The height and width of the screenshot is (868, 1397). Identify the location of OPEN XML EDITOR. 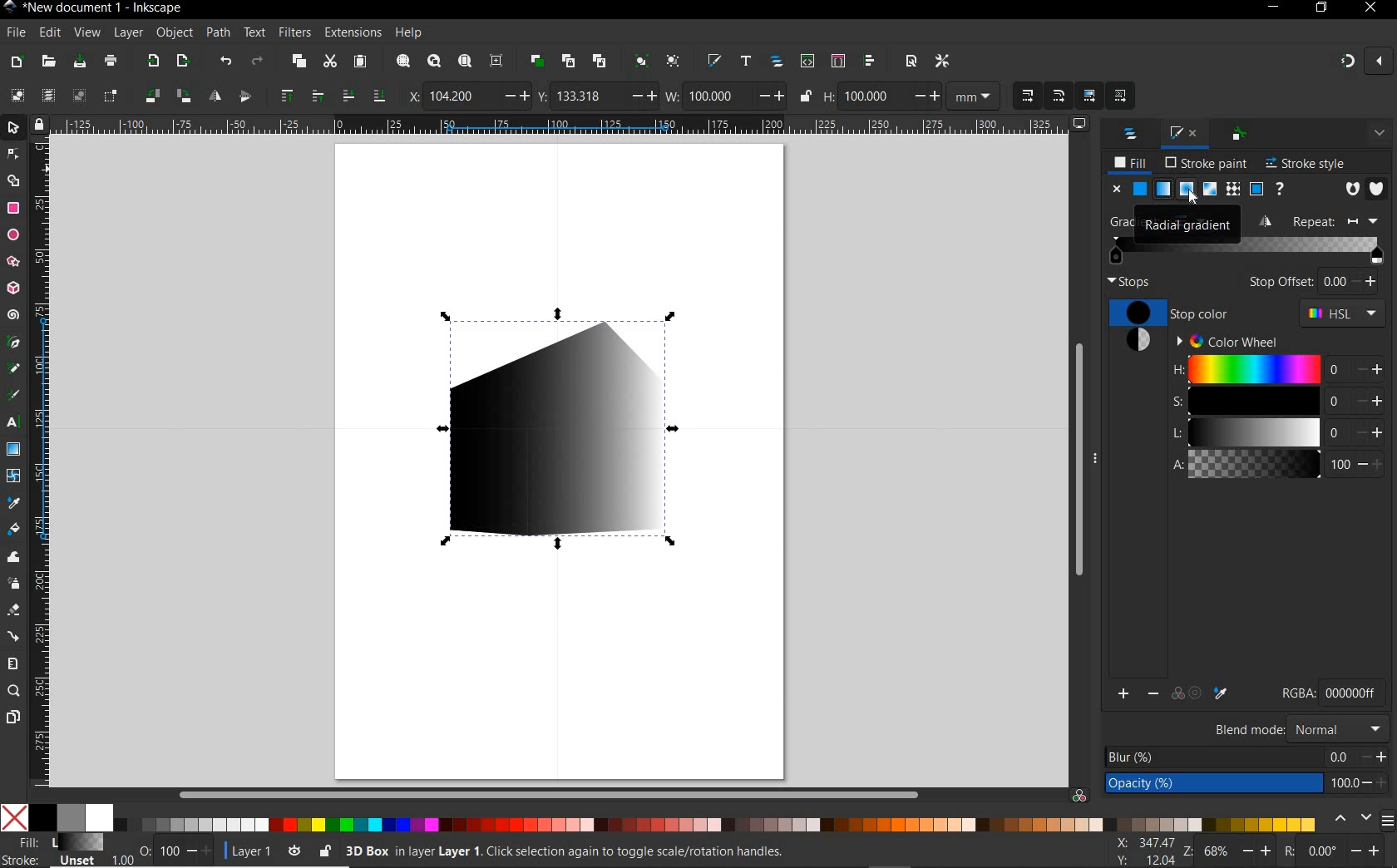
(807, 63).